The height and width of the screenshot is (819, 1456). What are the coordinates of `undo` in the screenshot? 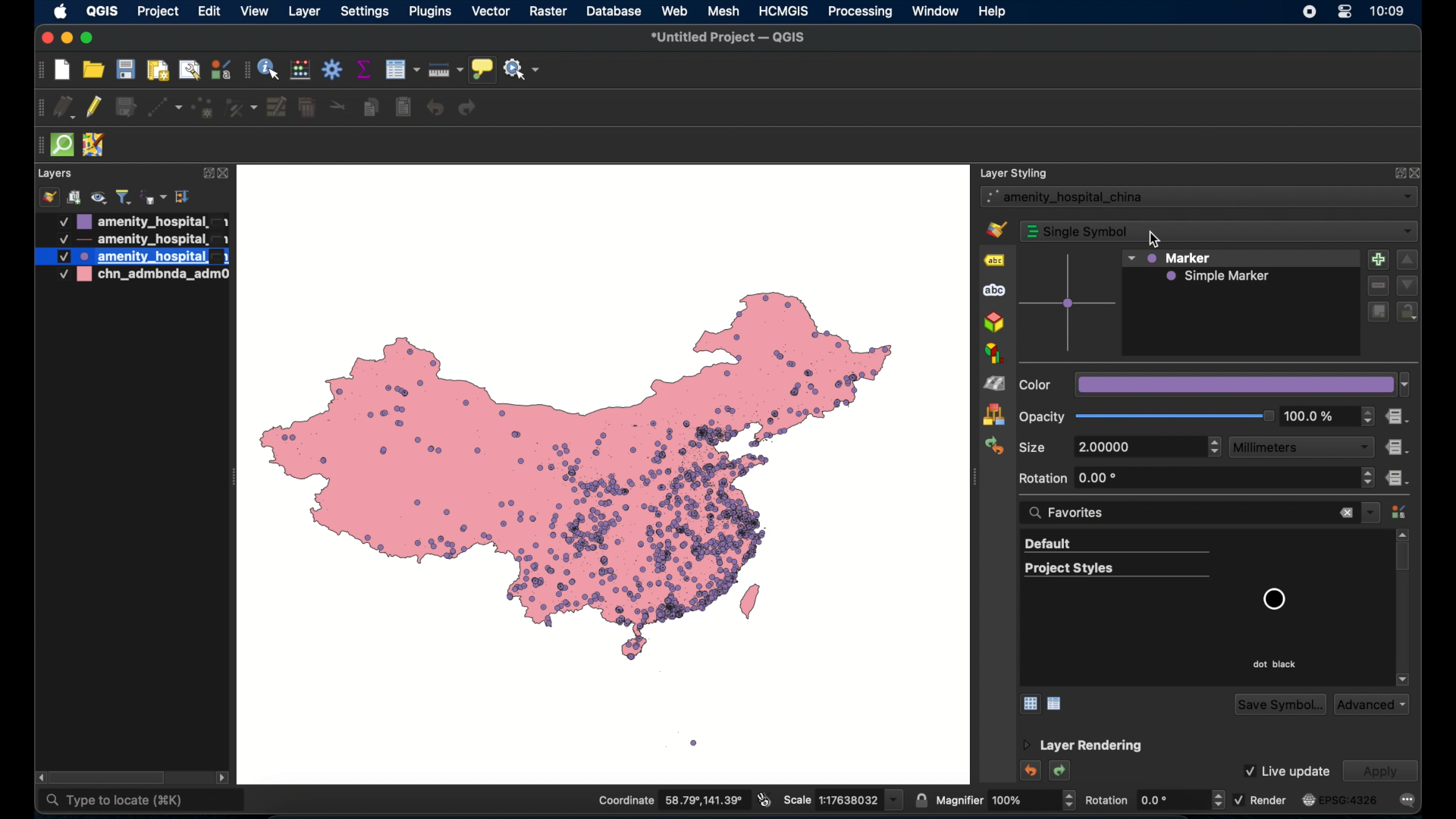 It's located at (1029, 770).